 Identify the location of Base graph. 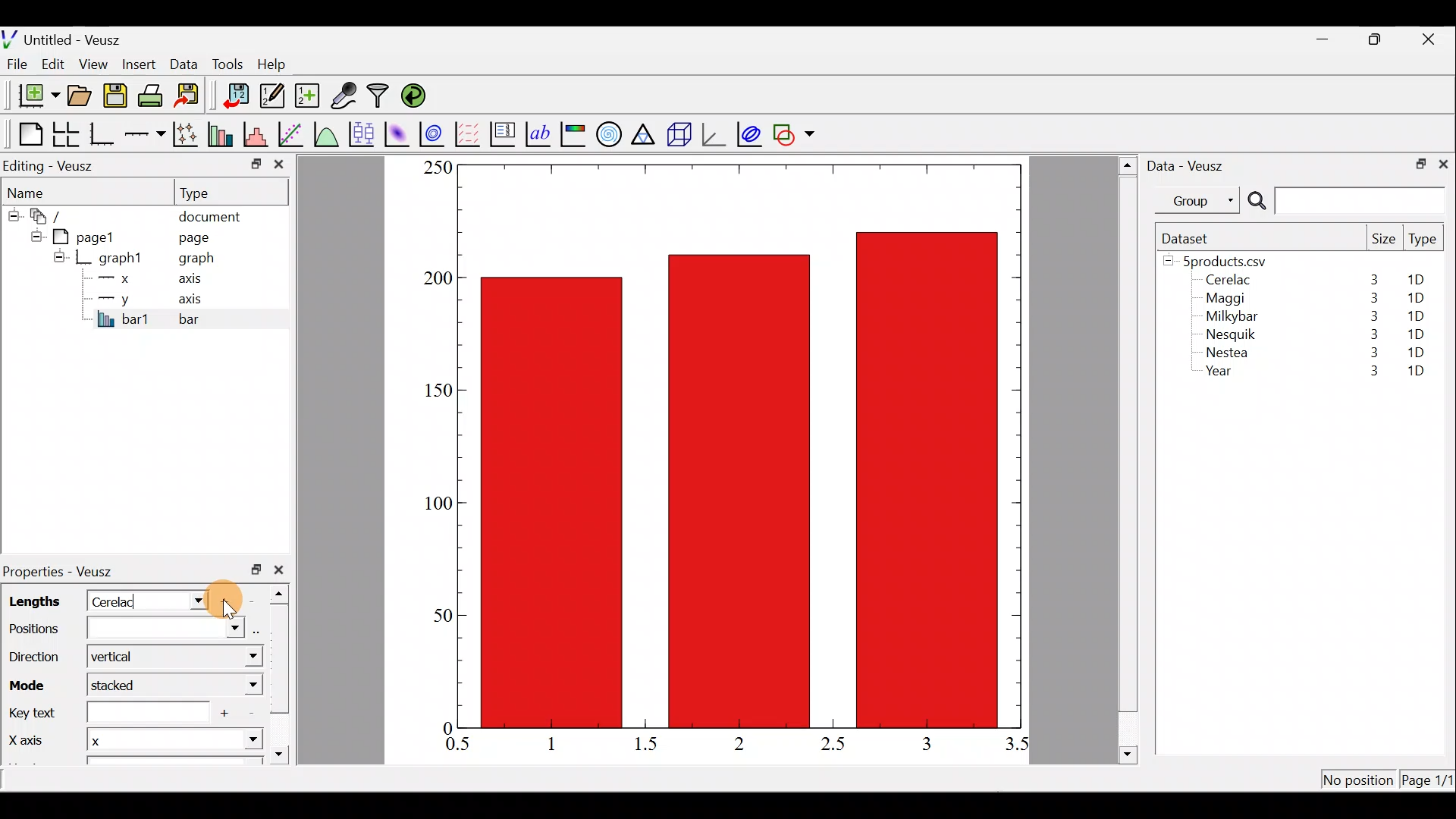
(103, 134).